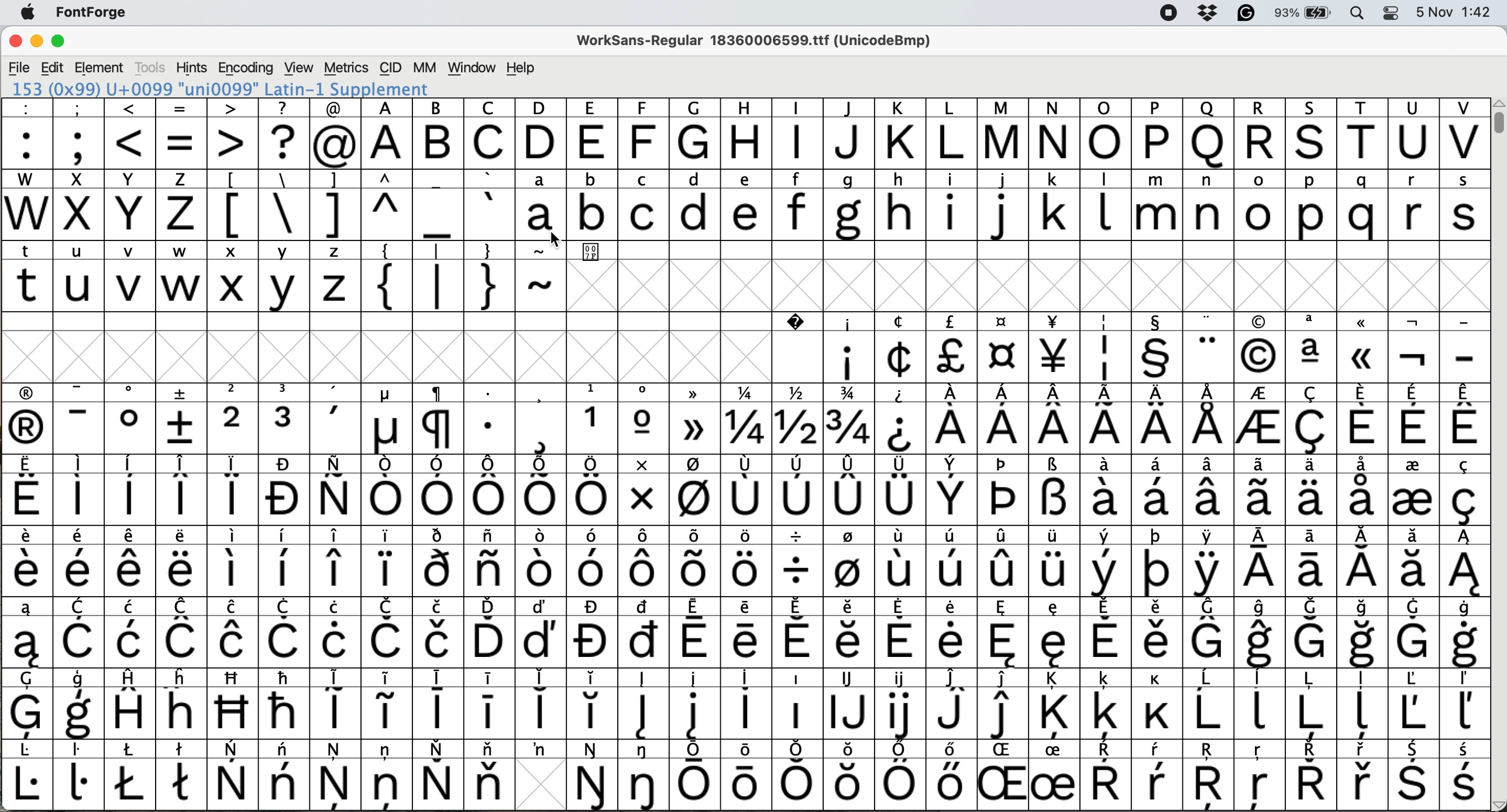 This screenshot has height=812, width=1507. I want to click on symbol, so click(1415, 349).